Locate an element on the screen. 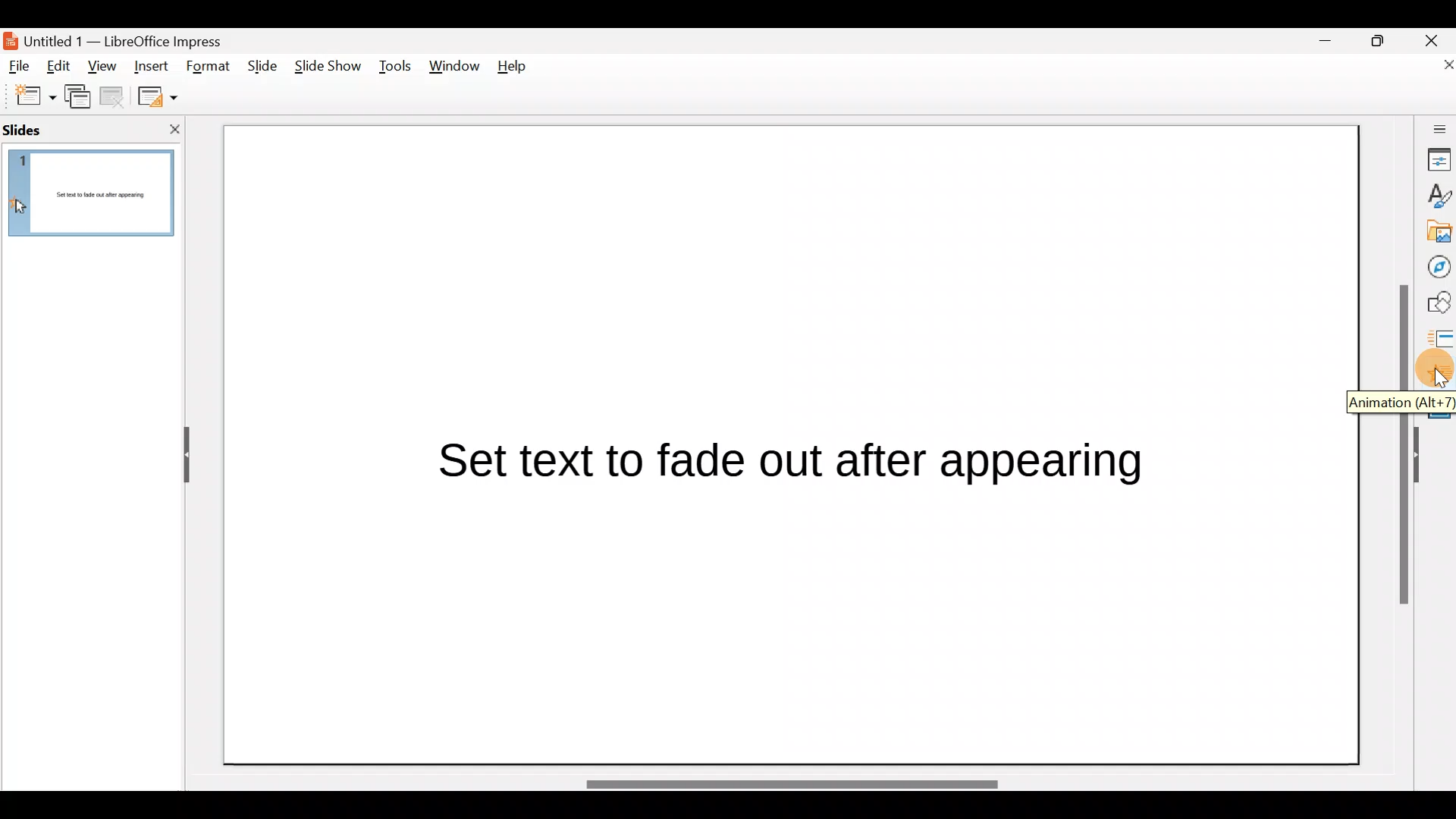  Insert is located at coordinates (151, 64).